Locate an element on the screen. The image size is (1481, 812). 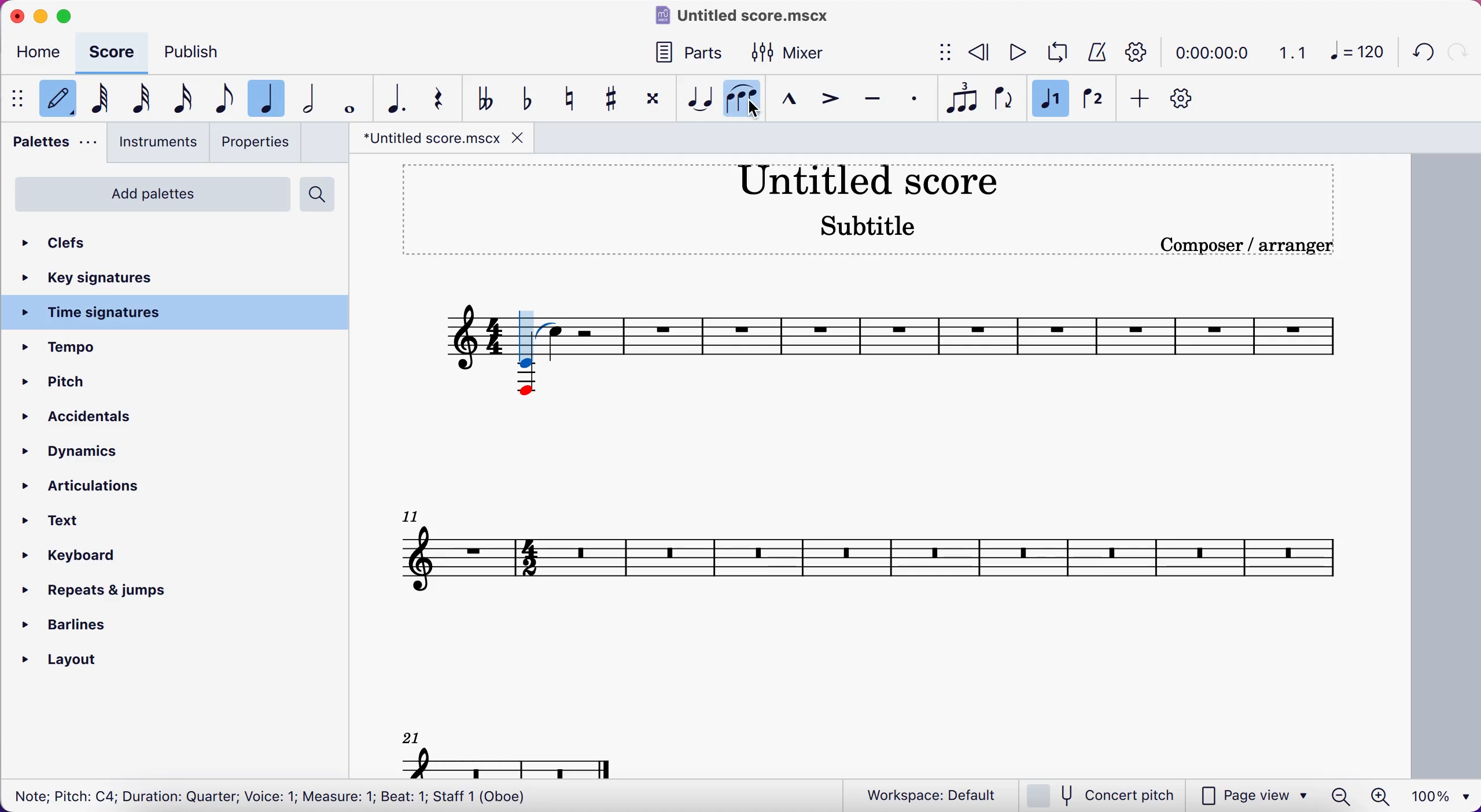
dynamics is located at coordinates (84, 452).